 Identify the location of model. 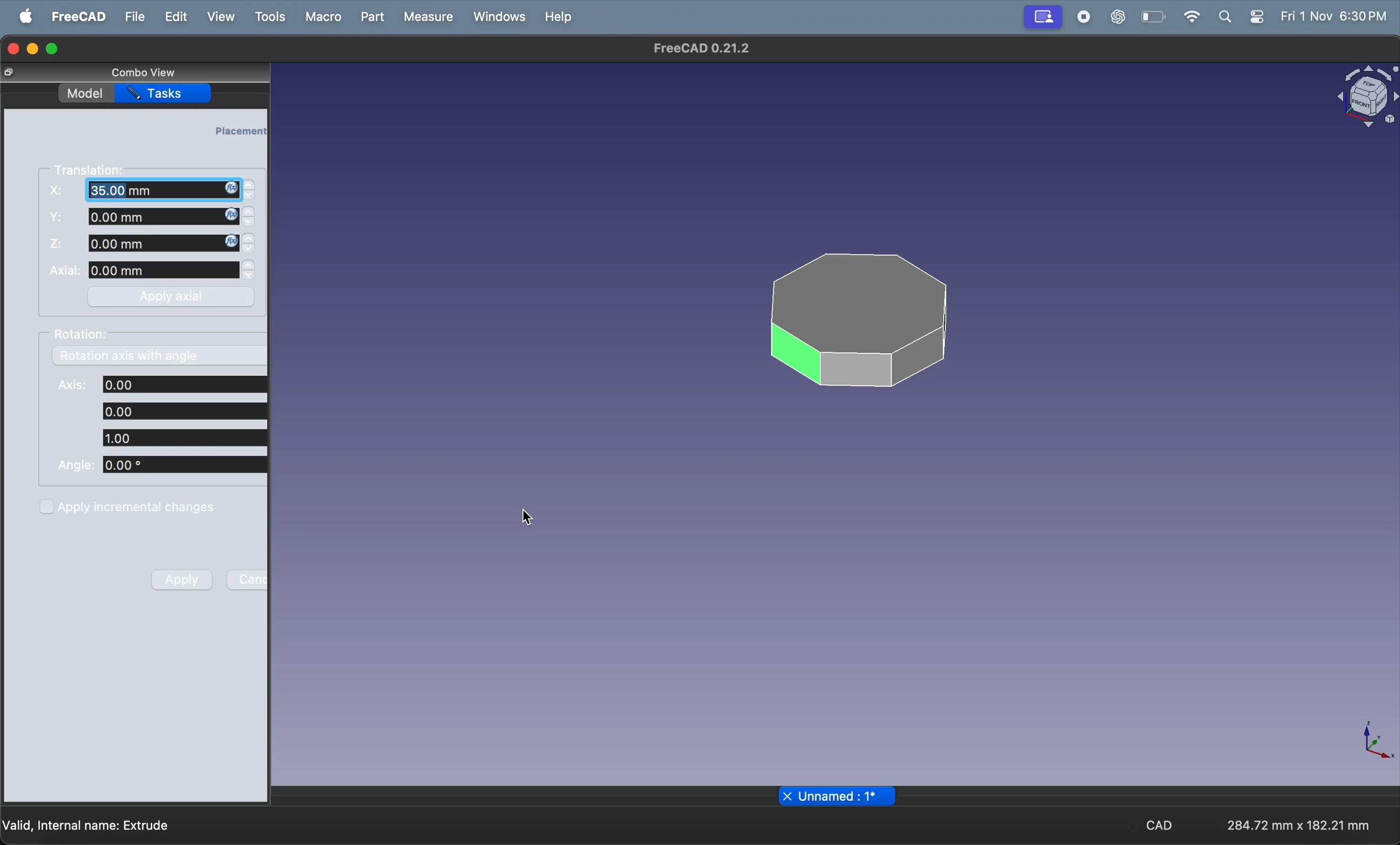
(84, 92).